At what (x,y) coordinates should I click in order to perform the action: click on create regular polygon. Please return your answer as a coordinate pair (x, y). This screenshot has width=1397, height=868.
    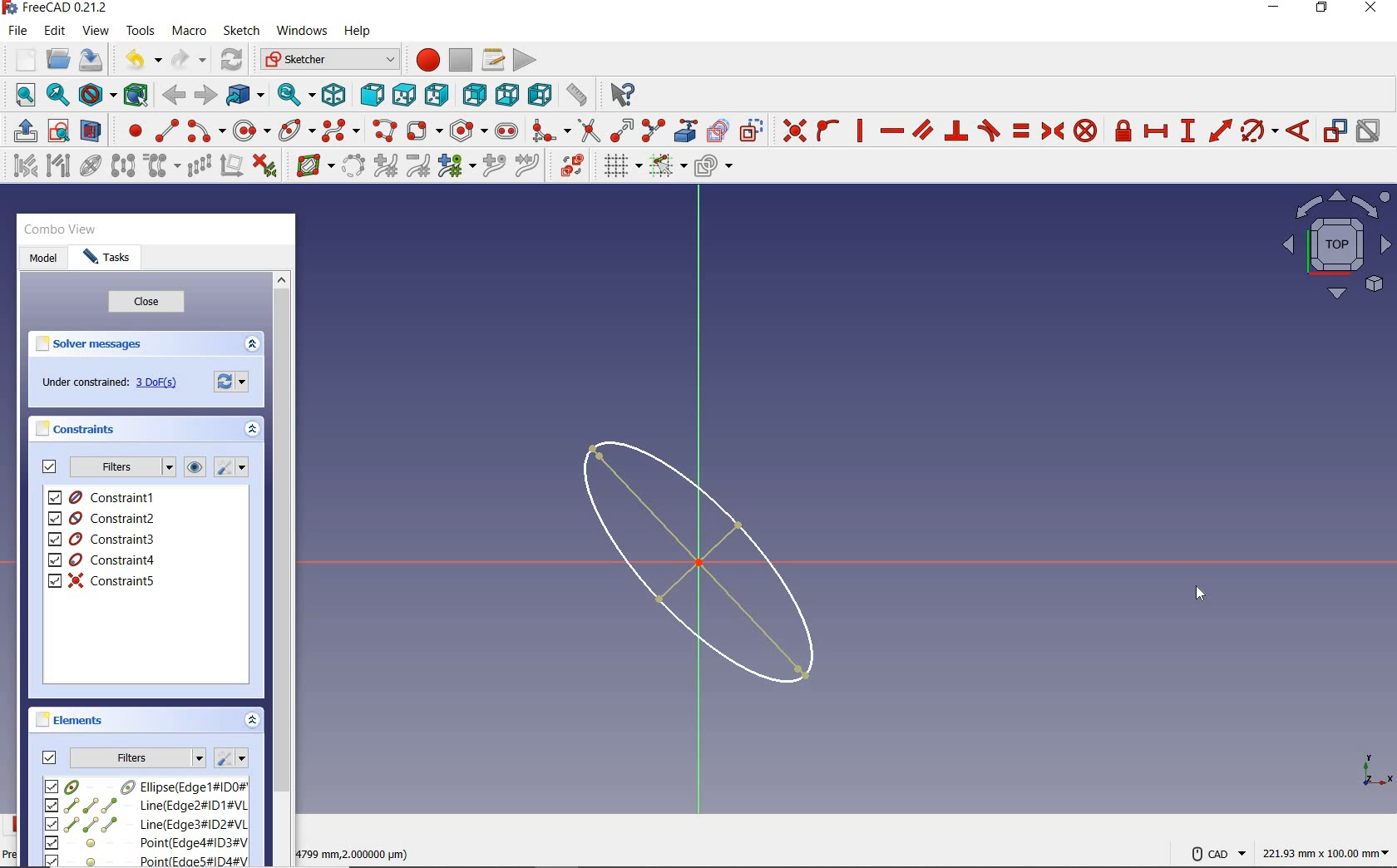
    Looking at the image, I should click on (469, 131).